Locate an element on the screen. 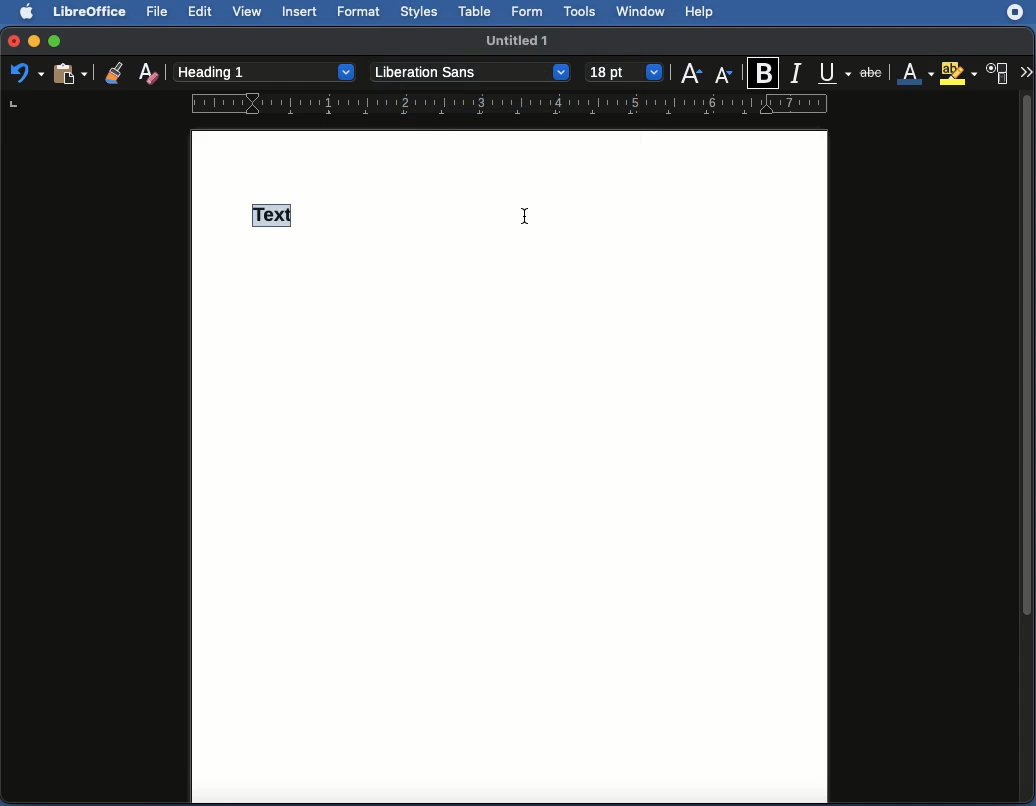 The height and width of the screenshot is (806, 1036). Insert is located at coordinates (301, 12).